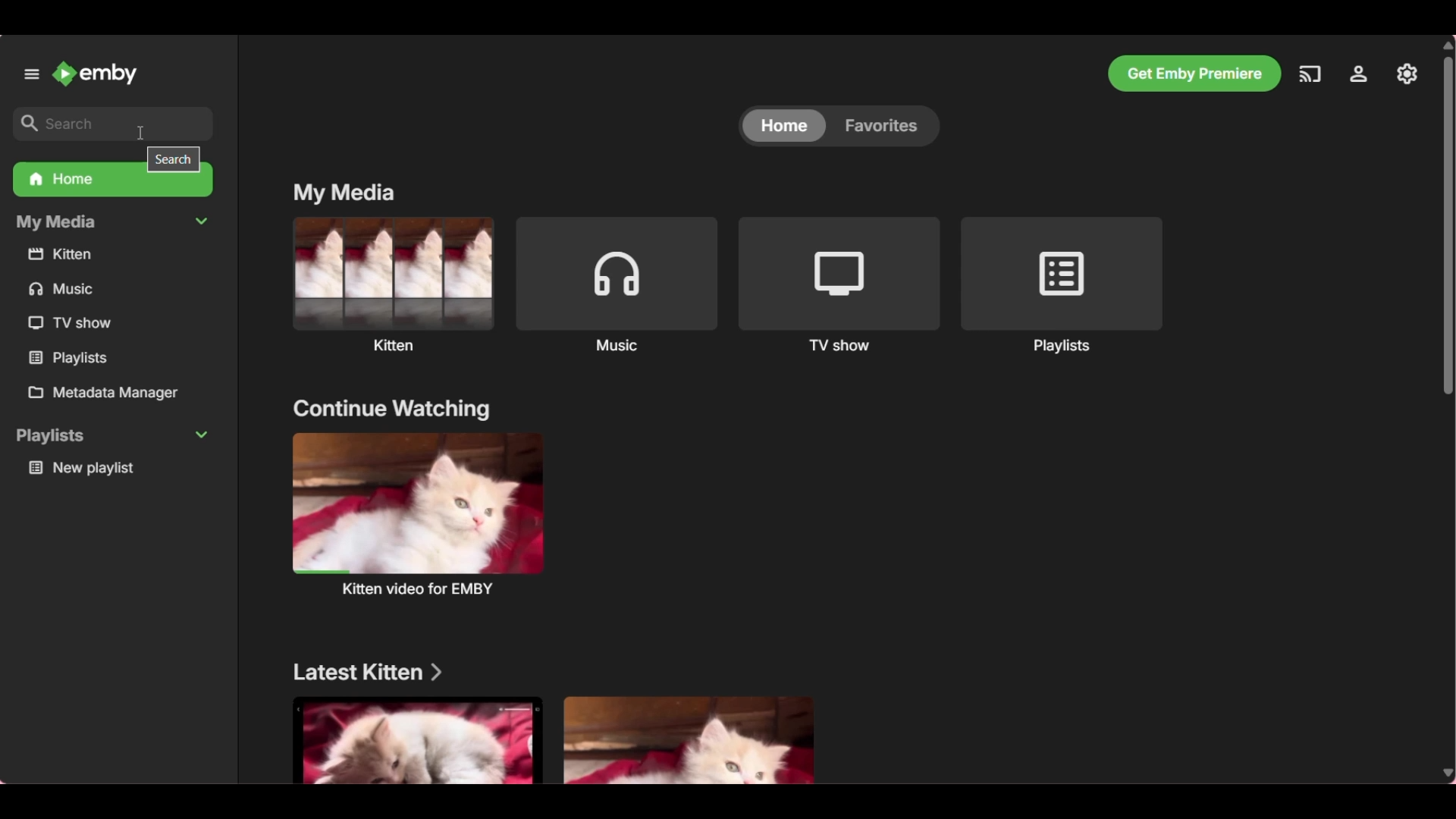 Image resolution: width=1456 pixels, height=819 pixels. What do you see at coordinates (692, 740) in the screenshot?
I see `Media files under above mentioned section` at bounding box center [692, 740].